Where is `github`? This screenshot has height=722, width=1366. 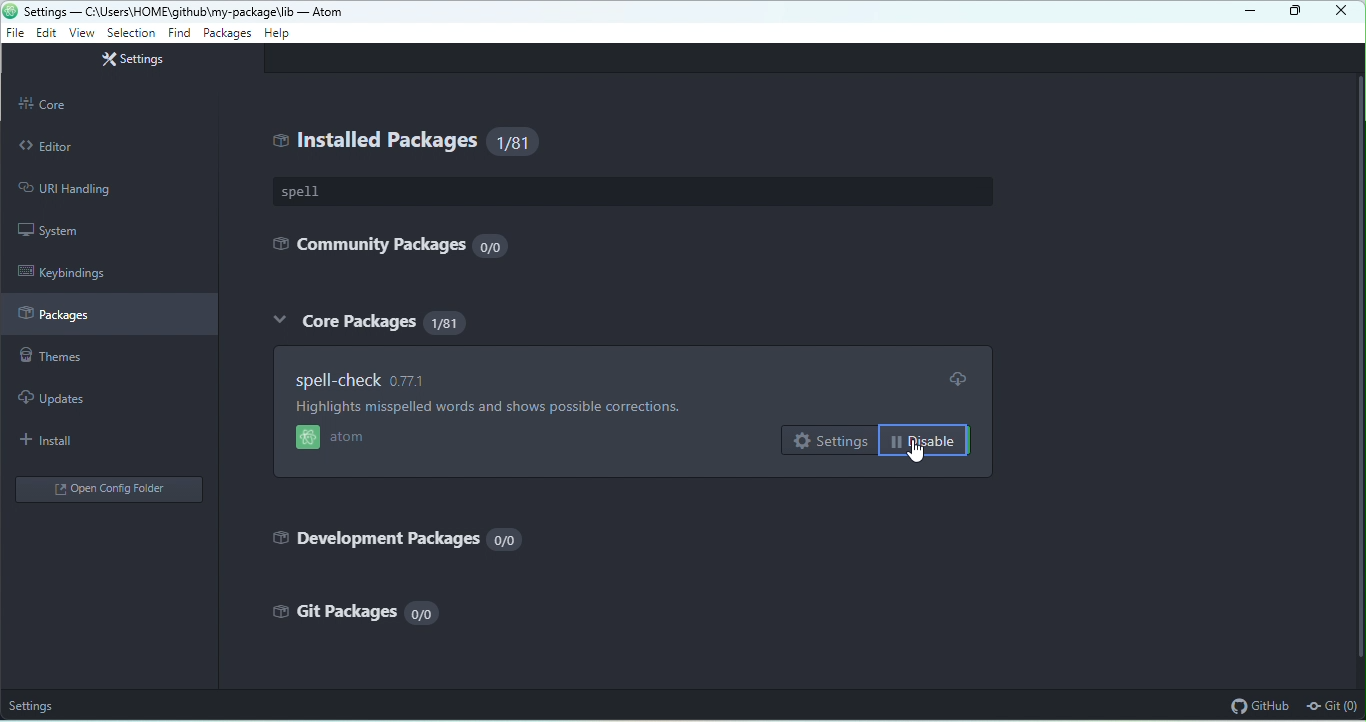
github is located at coordinates (1260, 705).